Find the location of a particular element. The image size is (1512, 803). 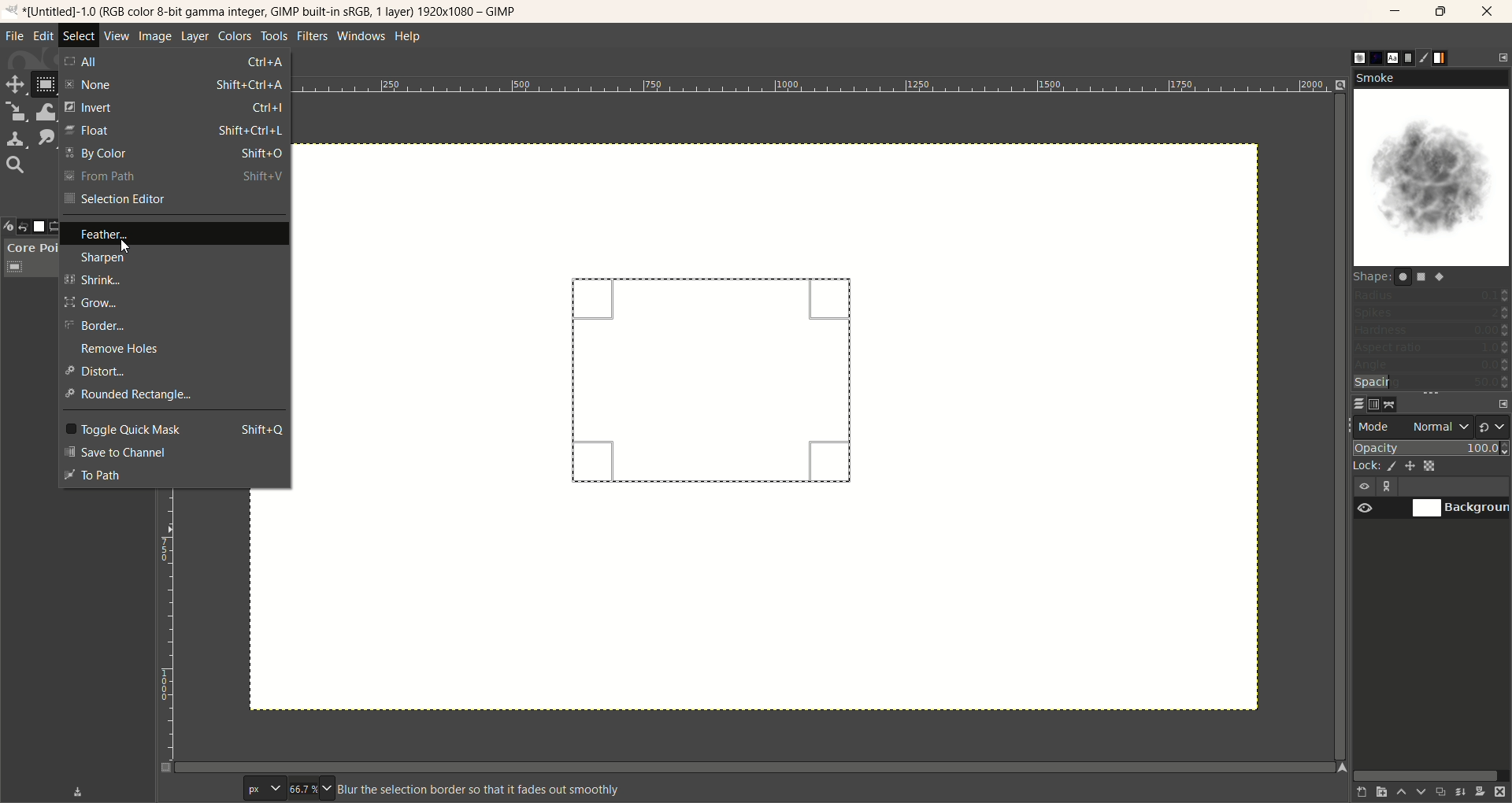

hardness is located at coordinates (1431, 331).